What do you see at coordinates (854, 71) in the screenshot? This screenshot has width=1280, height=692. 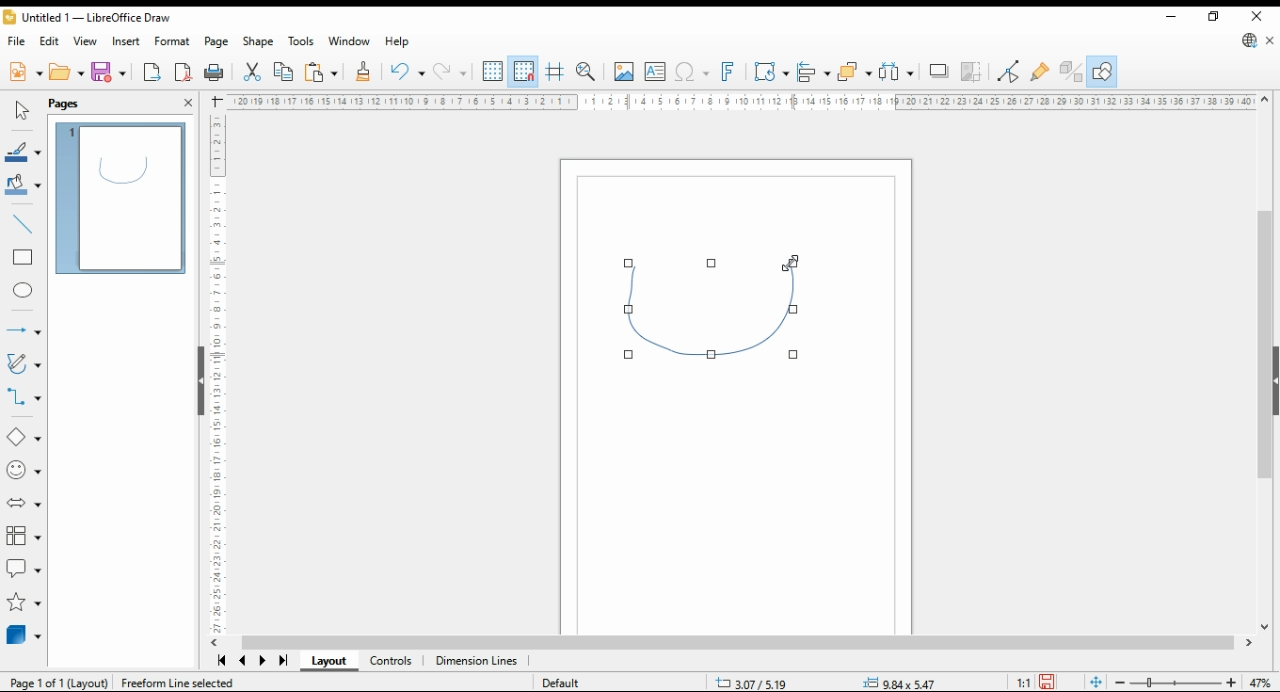 I see `arrange` at bounding box center [854, 71].